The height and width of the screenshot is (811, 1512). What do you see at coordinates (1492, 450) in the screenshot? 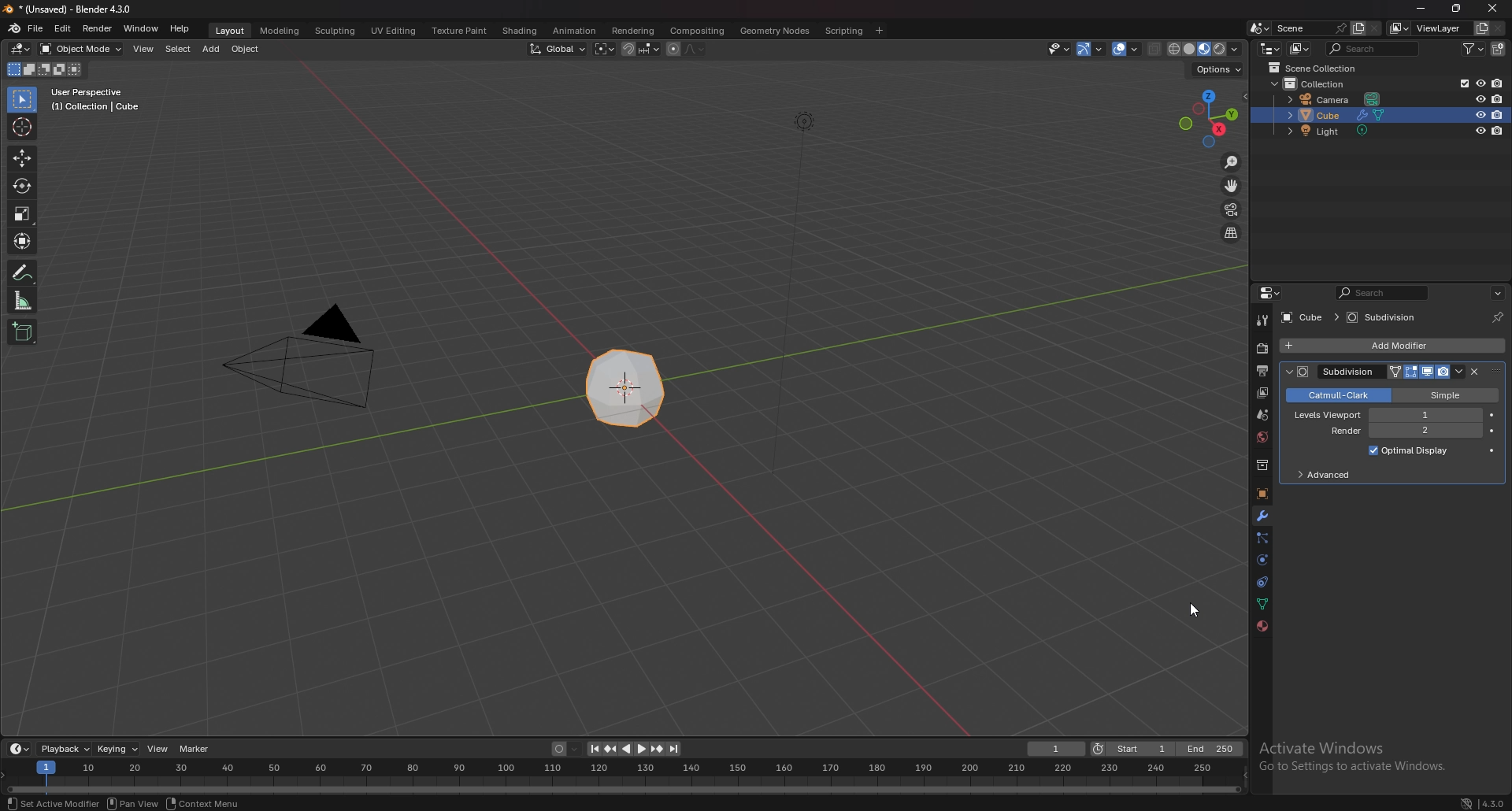
I see `animate property` at bounding box center [1492, 450].